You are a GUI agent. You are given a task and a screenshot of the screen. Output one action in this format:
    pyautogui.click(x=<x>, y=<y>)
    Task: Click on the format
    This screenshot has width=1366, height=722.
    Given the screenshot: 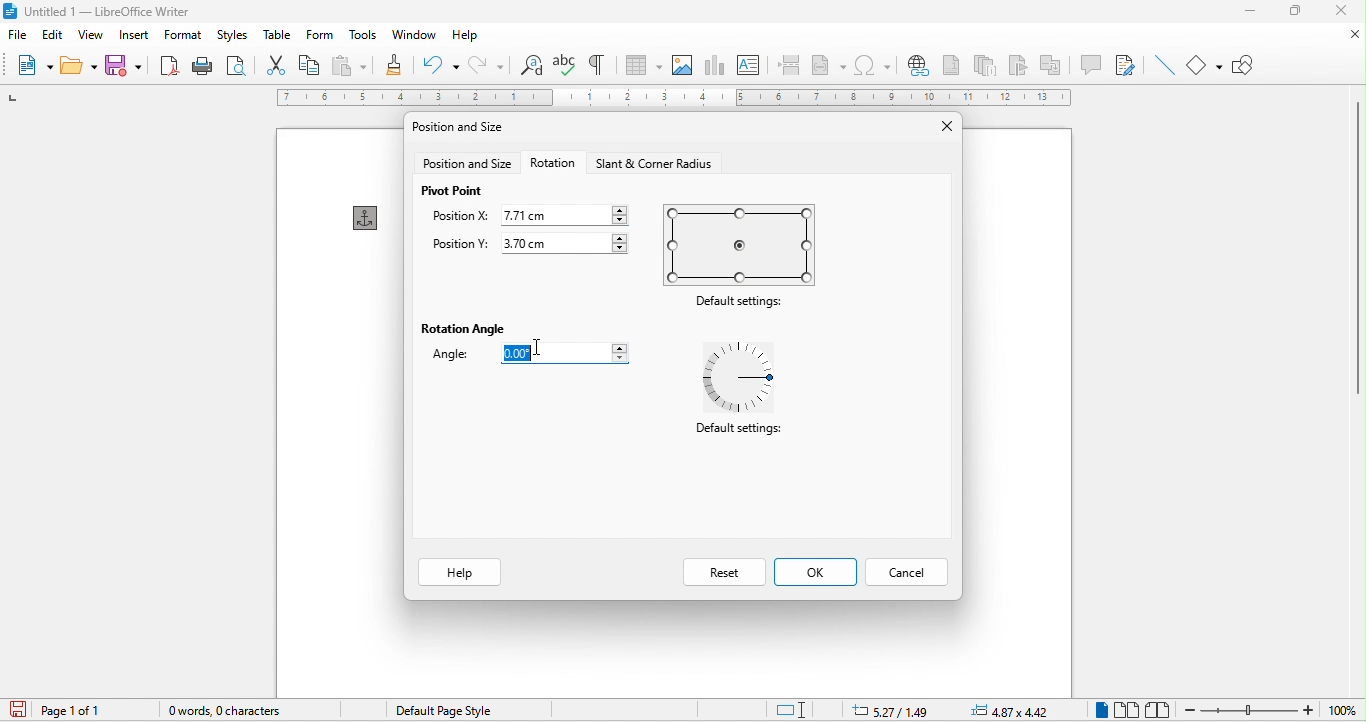 What is the action you would take?
    pyautogui.click(x=183, y=36)
    